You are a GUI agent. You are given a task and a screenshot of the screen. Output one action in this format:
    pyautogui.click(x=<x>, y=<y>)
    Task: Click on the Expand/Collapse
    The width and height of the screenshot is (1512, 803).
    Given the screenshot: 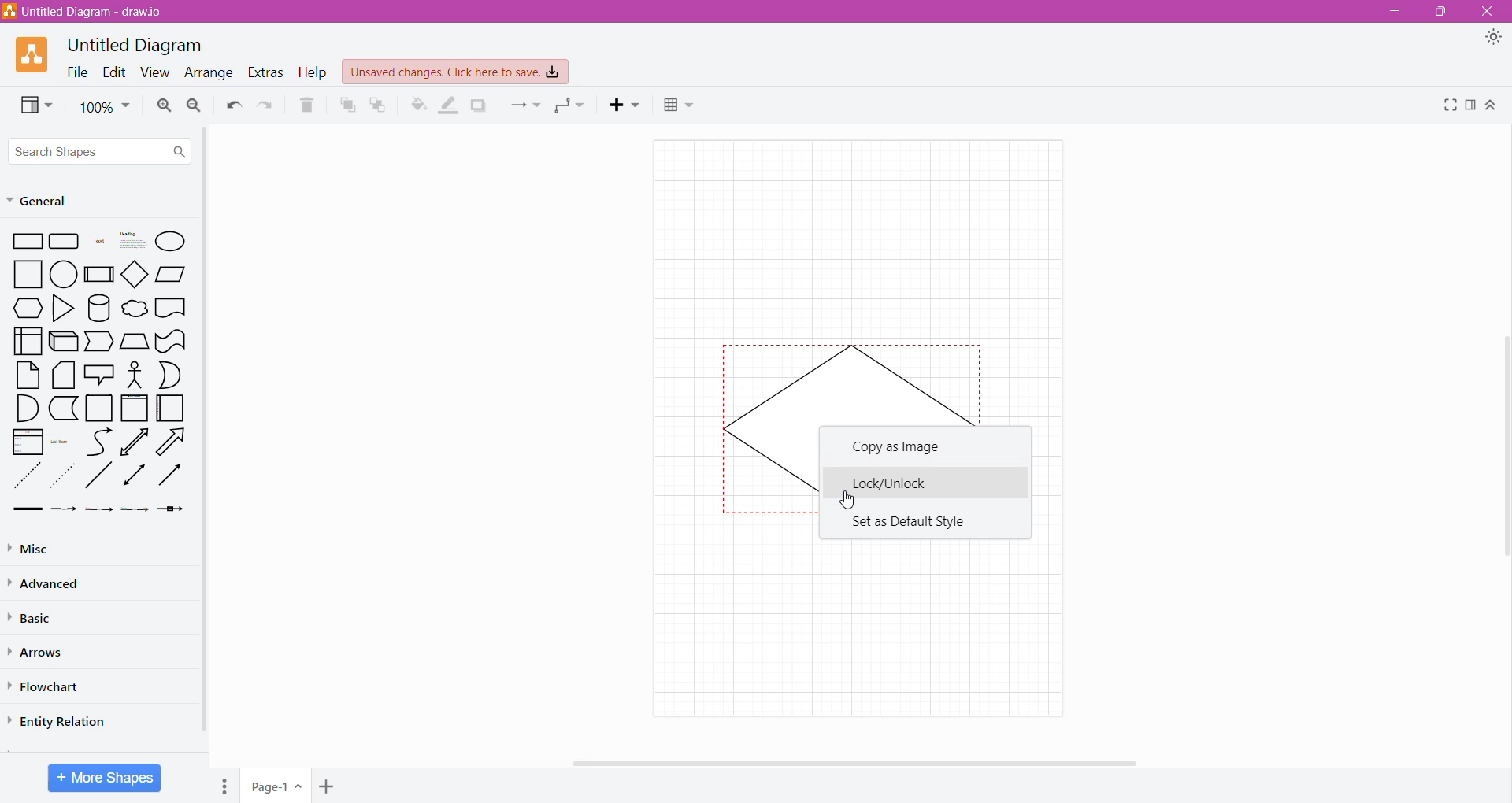 What is the action you would take?
    pyautogui.click(x=1492, y=106)
    